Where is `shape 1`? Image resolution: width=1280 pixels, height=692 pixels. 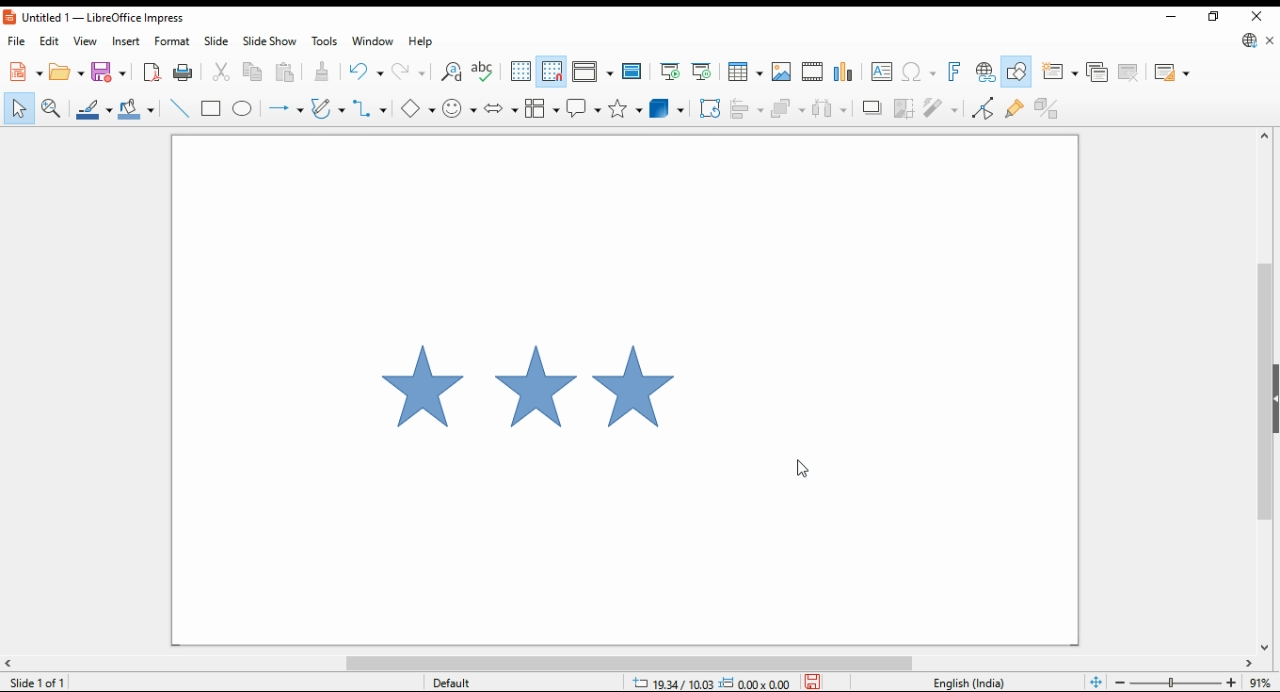 shape 1 is located at coordinates (413, 390).